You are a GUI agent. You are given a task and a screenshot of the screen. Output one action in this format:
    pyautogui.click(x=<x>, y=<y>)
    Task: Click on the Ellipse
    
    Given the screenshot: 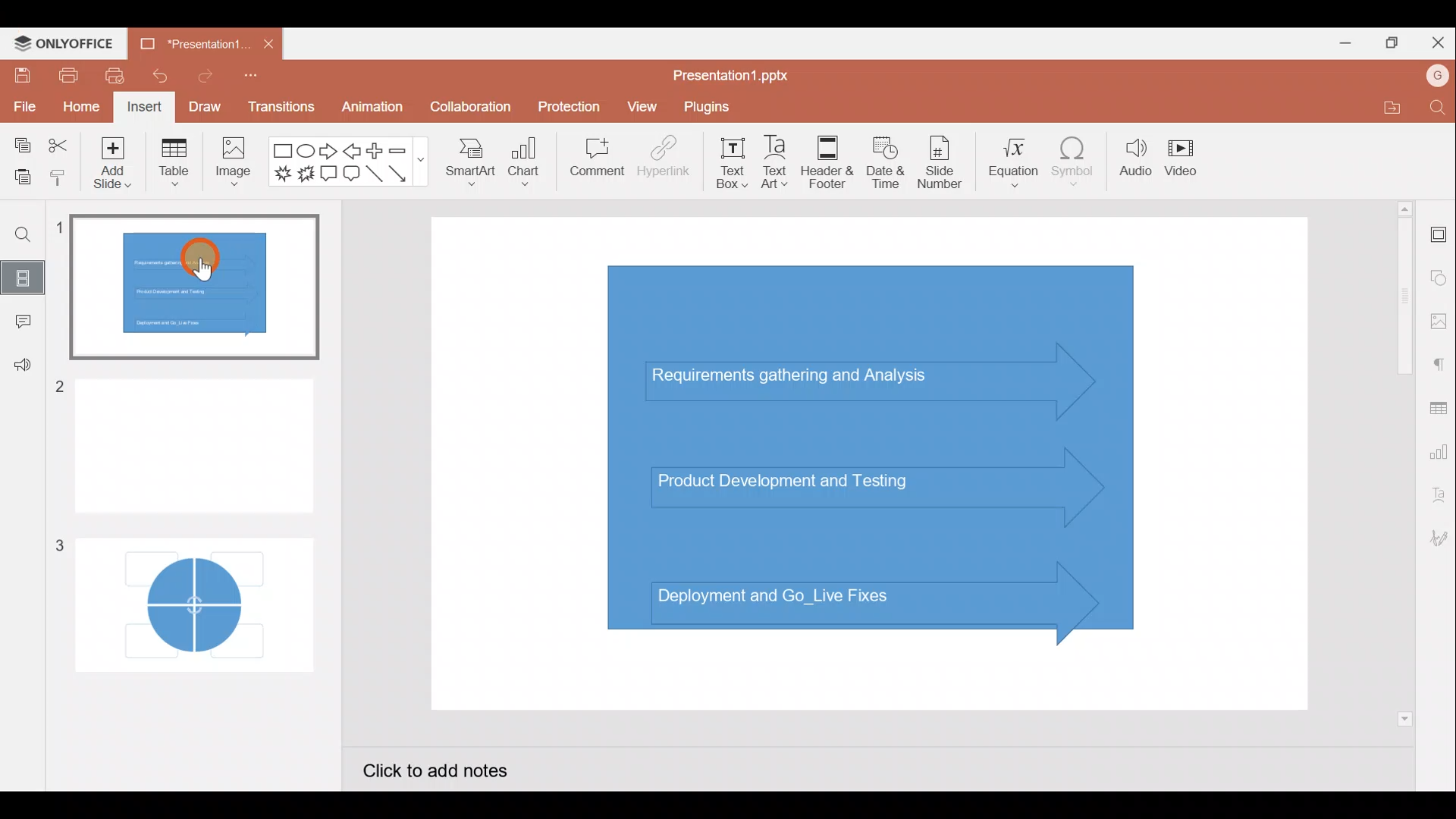 What is the action you would take?
    pyautogui.click(x=305, y=152)
    